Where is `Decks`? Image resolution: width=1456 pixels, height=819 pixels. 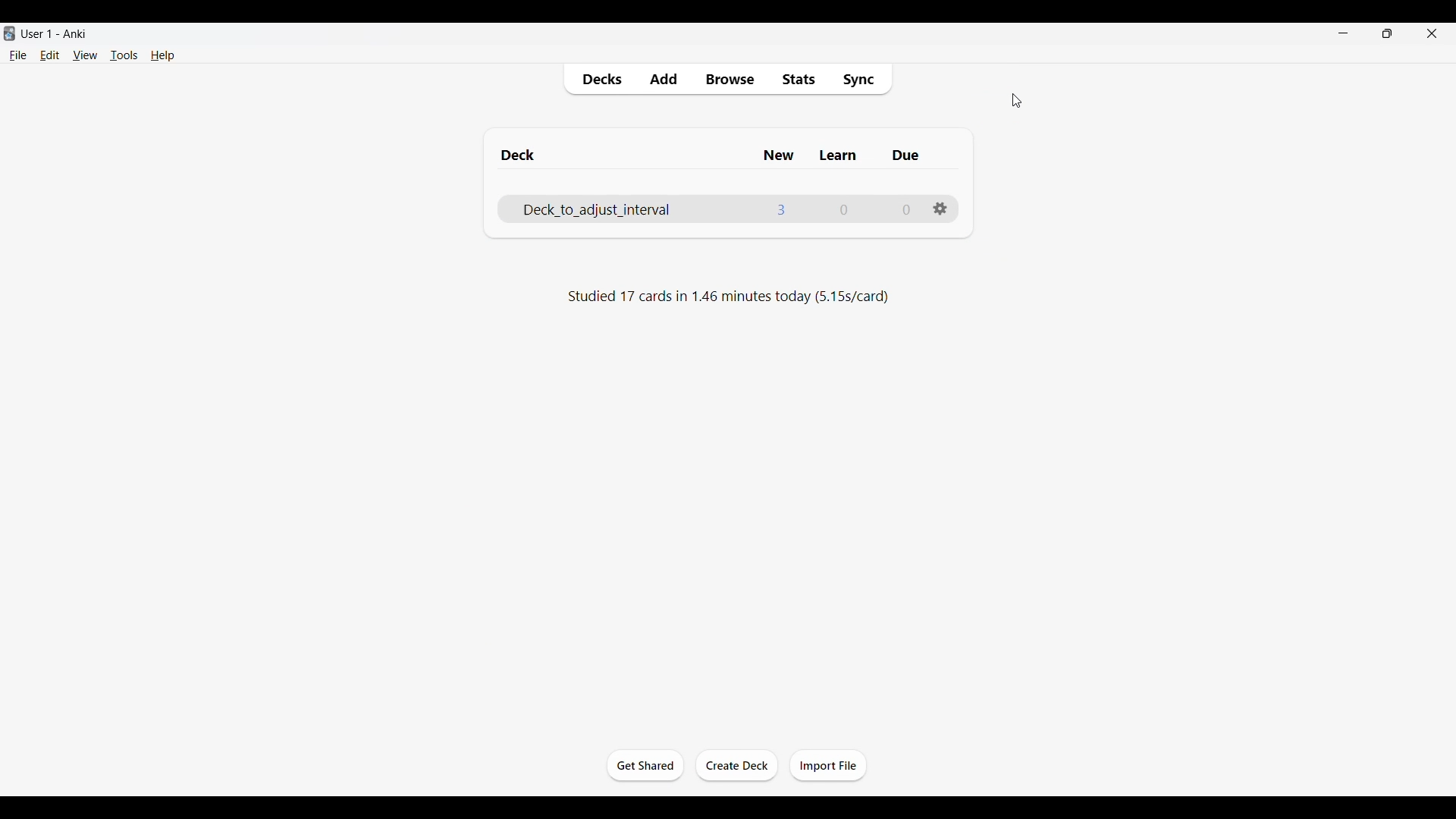 Decks is located at coordinates (598, 79).